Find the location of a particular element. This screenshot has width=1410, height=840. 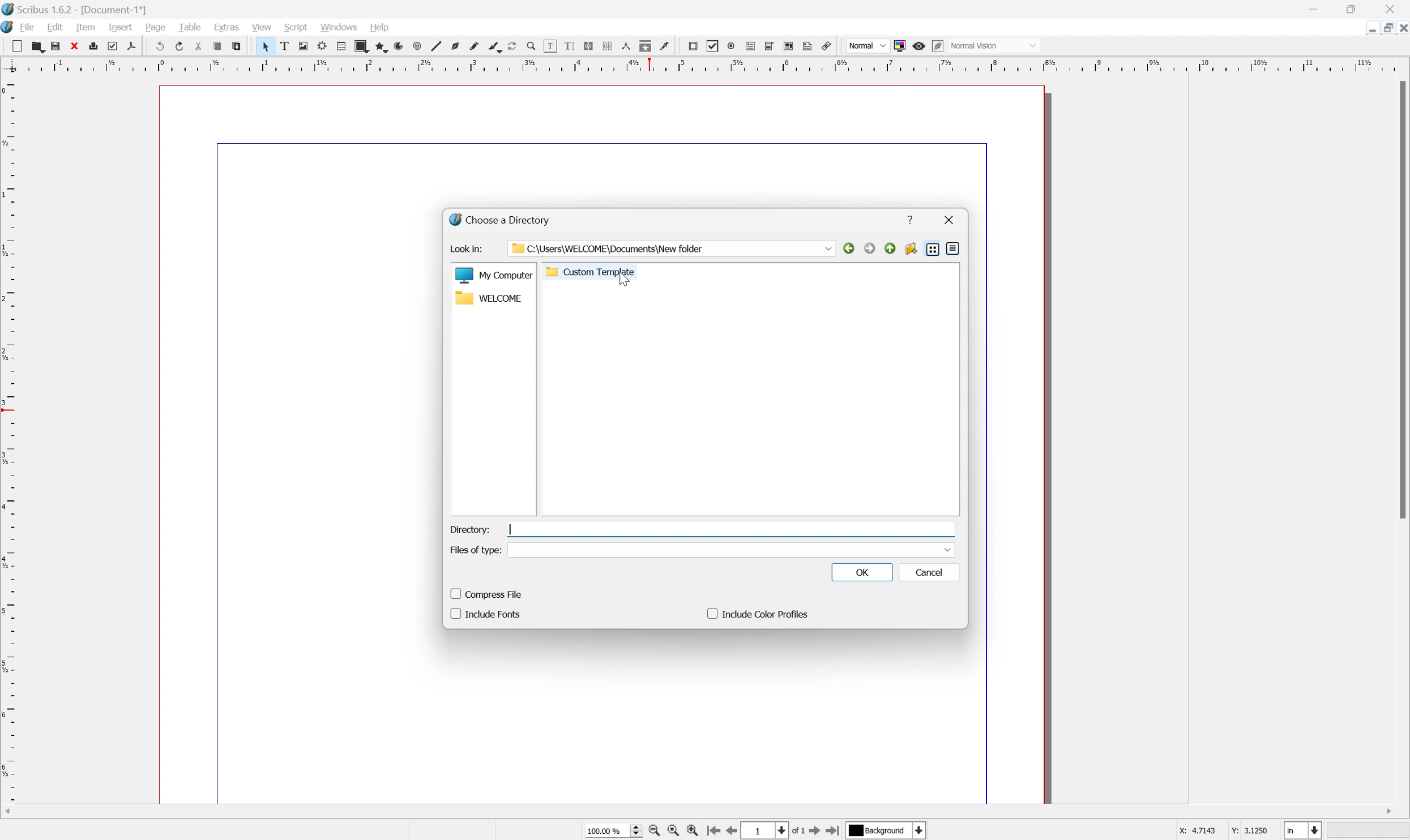

Select current page is located at coordinates (773, 832).